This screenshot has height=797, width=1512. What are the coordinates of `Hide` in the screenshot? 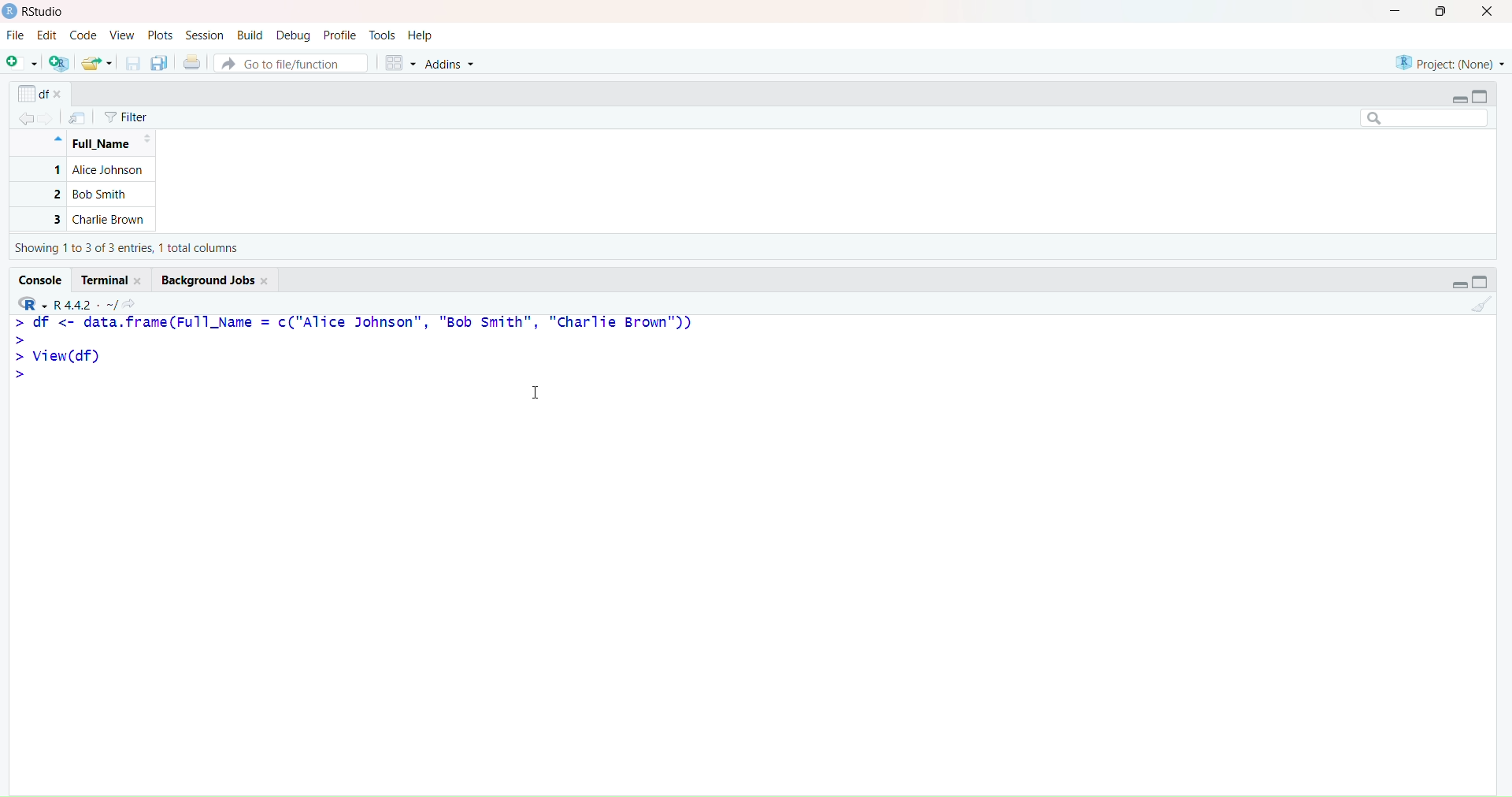 It's located at (57, 138).